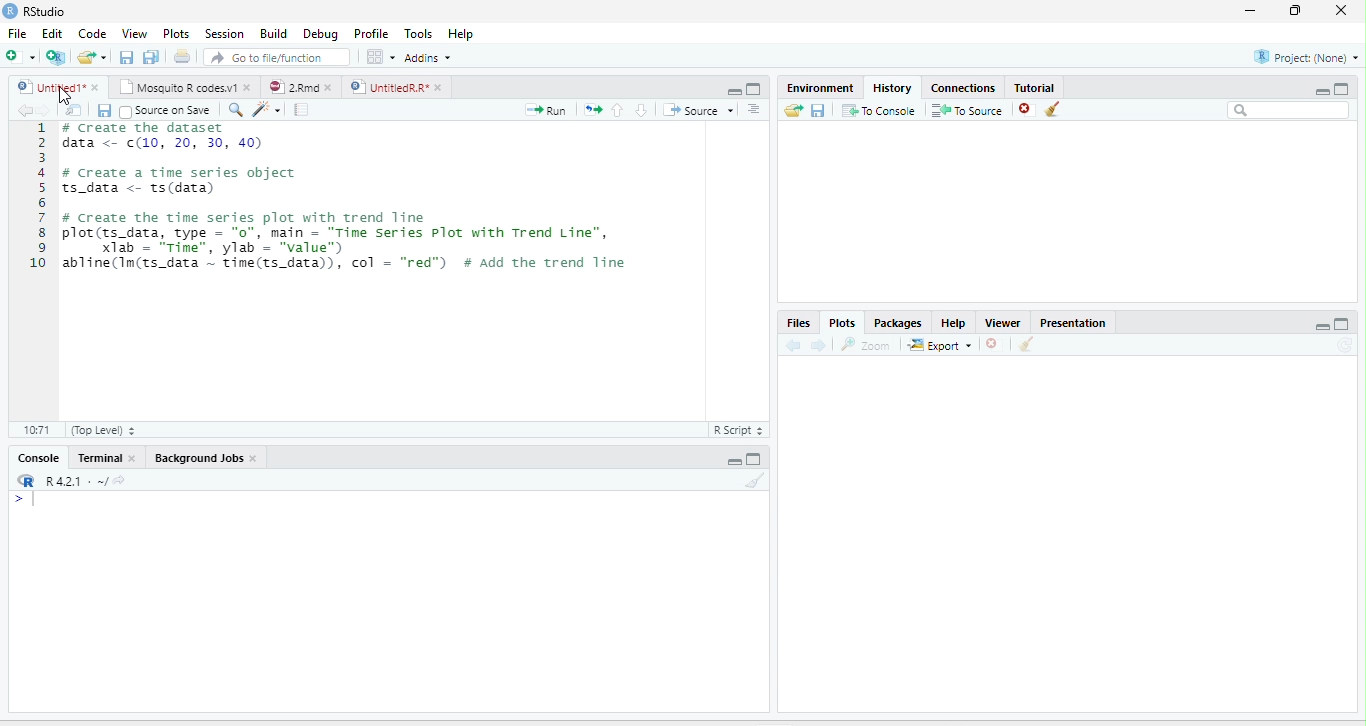 Image resolution: width=1366 pixels, height=726 pixels. What do you see at coordinates (732, 462) in the screenshot?
I see `Minimize` at bounding box center [732, 462].